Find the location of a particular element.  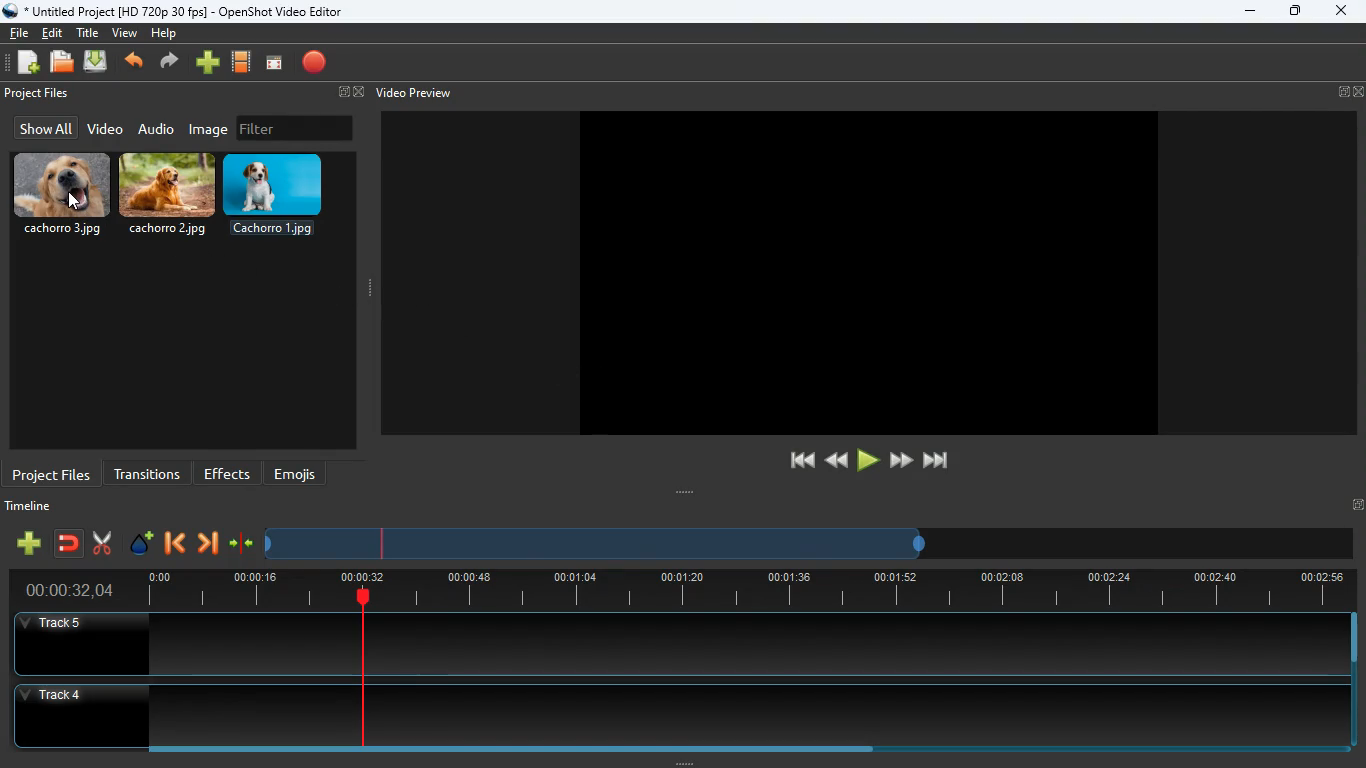

image is located at coordinates (210, 129).